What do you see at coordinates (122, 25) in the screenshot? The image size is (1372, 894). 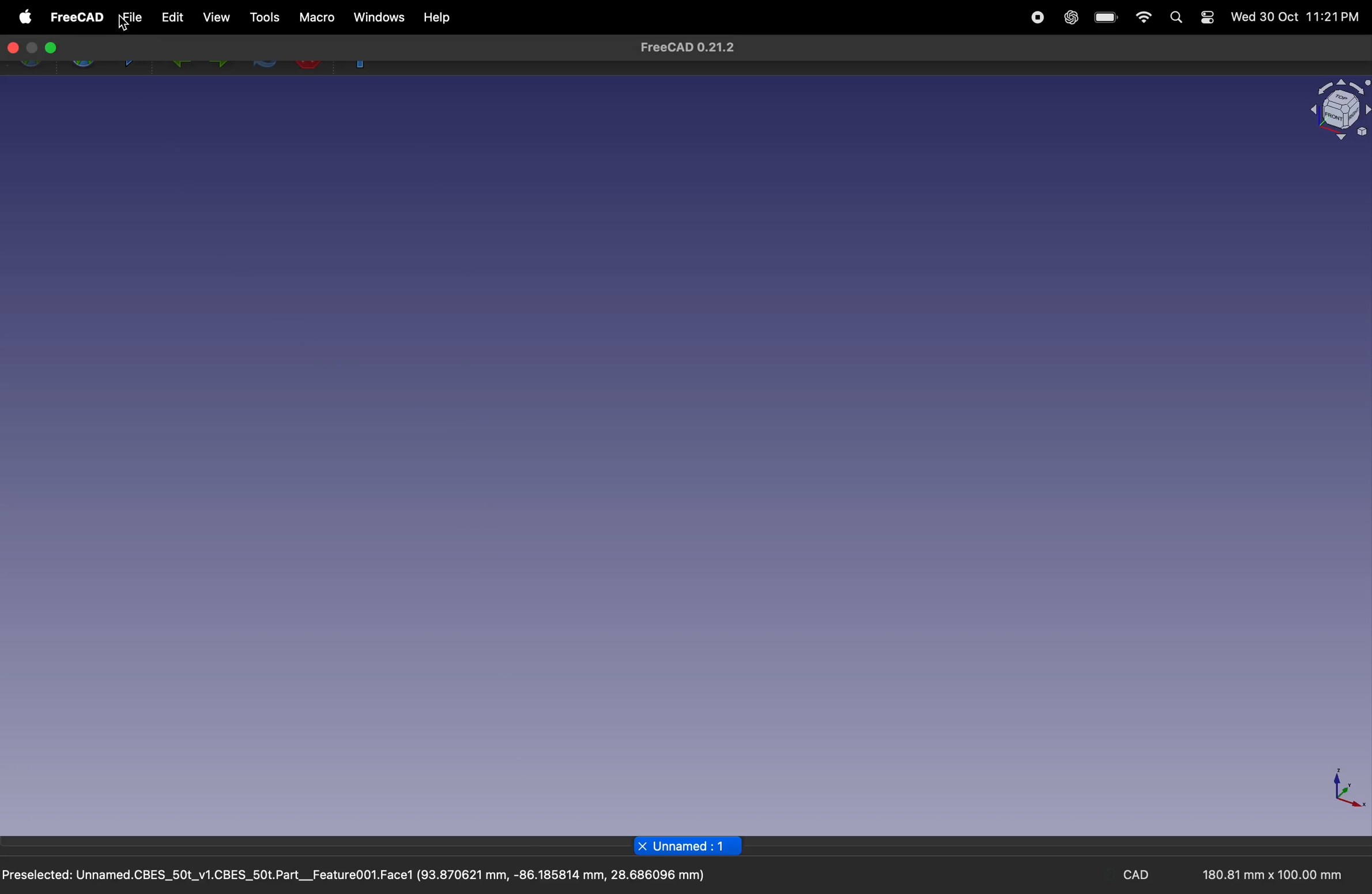 I see `cursor` at bounding box center [122, 25].